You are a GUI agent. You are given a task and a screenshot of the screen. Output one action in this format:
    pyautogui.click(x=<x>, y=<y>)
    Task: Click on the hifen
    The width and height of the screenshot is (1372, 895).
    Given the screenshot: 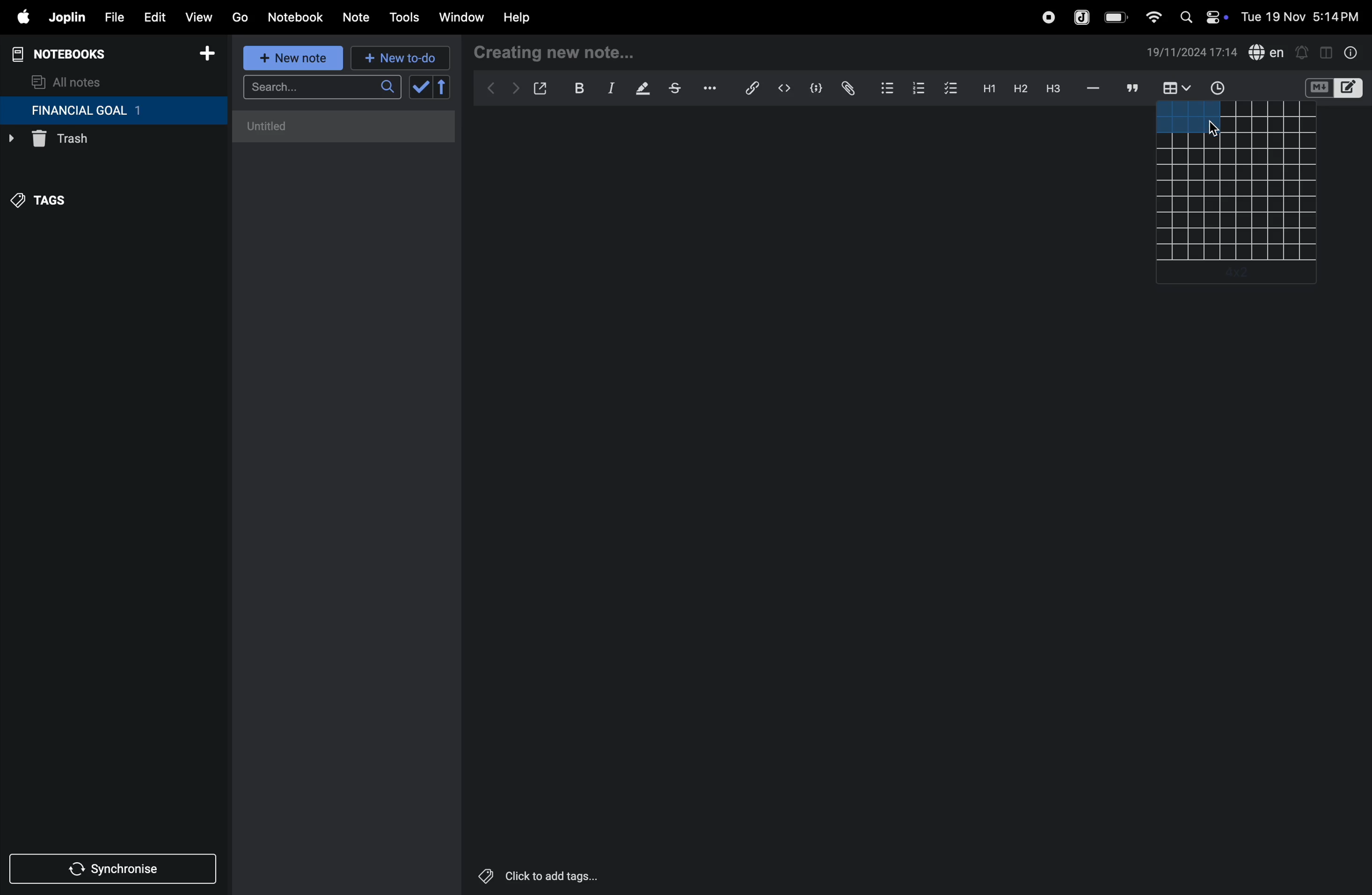 What is the action you would take?
    pyautogui.click(x=1095, y=88)
    